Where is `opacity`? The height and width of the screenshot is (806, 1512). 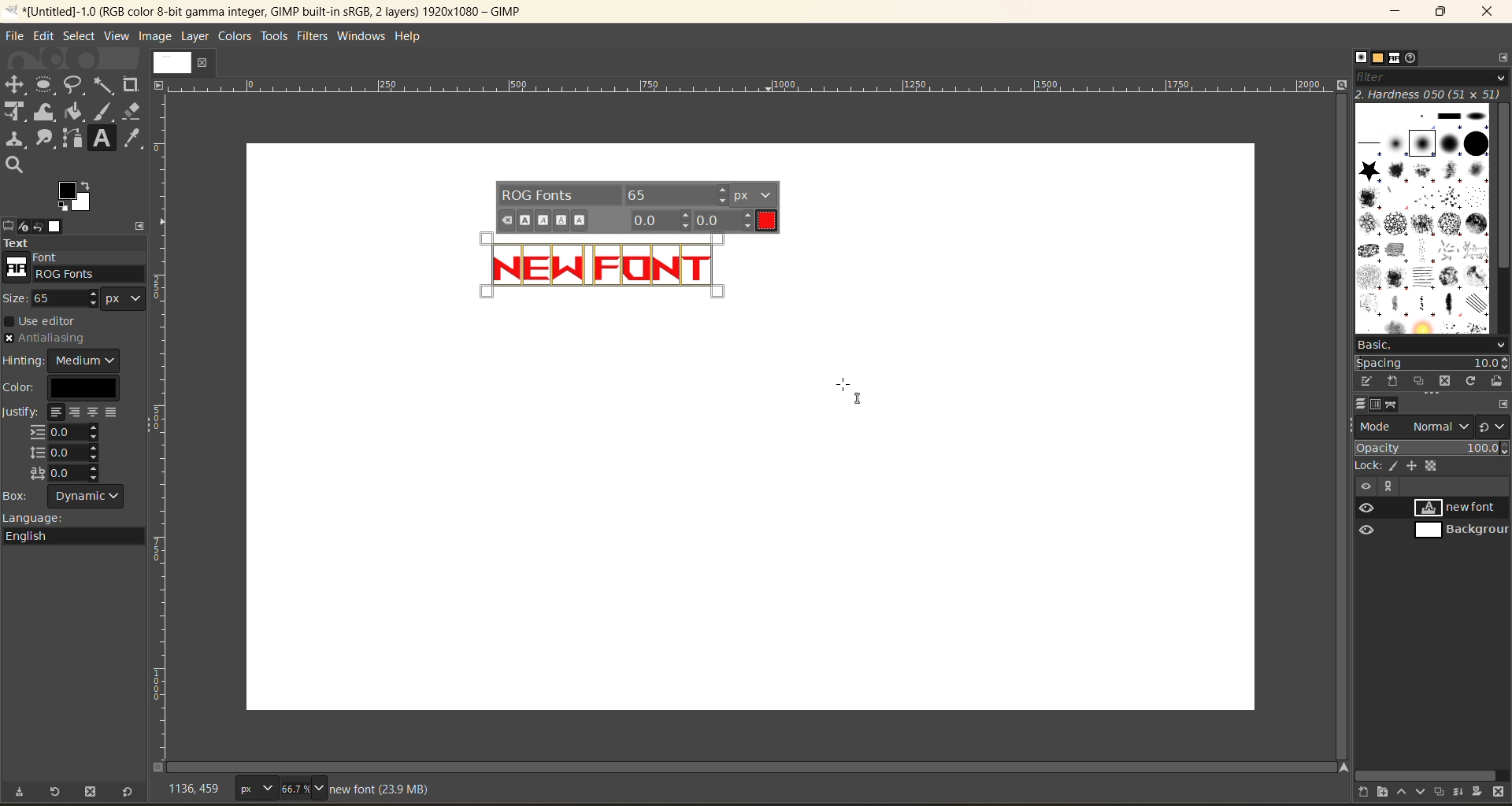 opacity is located at coordinates (1432, 450).